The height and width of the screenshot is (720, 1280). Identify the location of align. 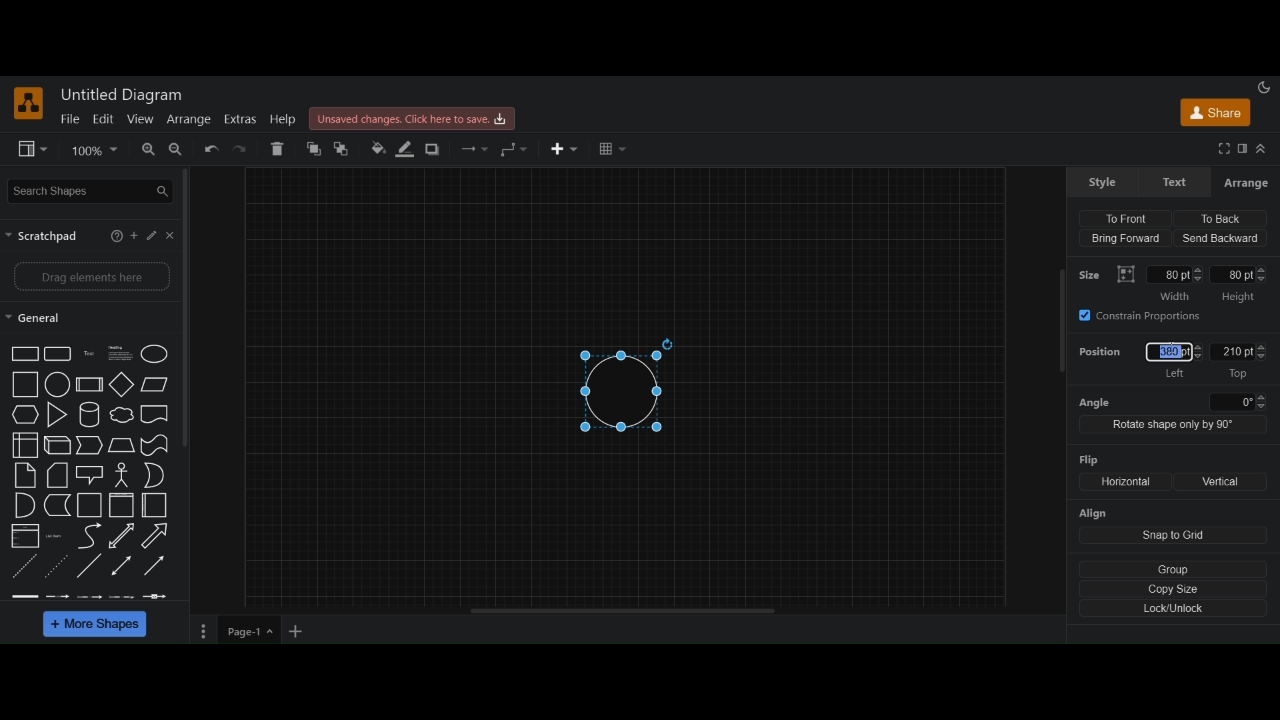
(1095, 514).